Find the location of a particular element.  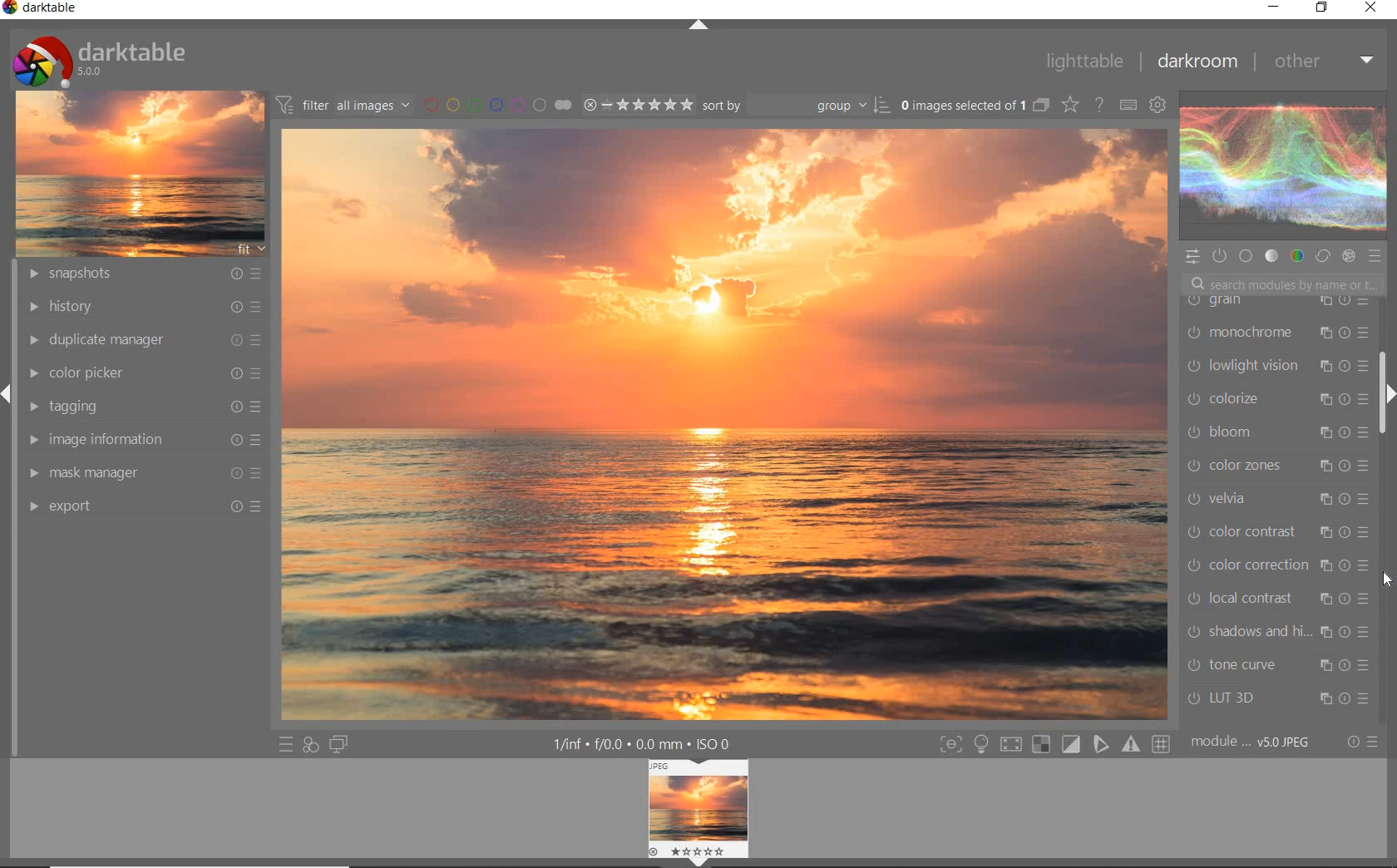

CURSOR POSITION is located at coordinates (1388, 581).